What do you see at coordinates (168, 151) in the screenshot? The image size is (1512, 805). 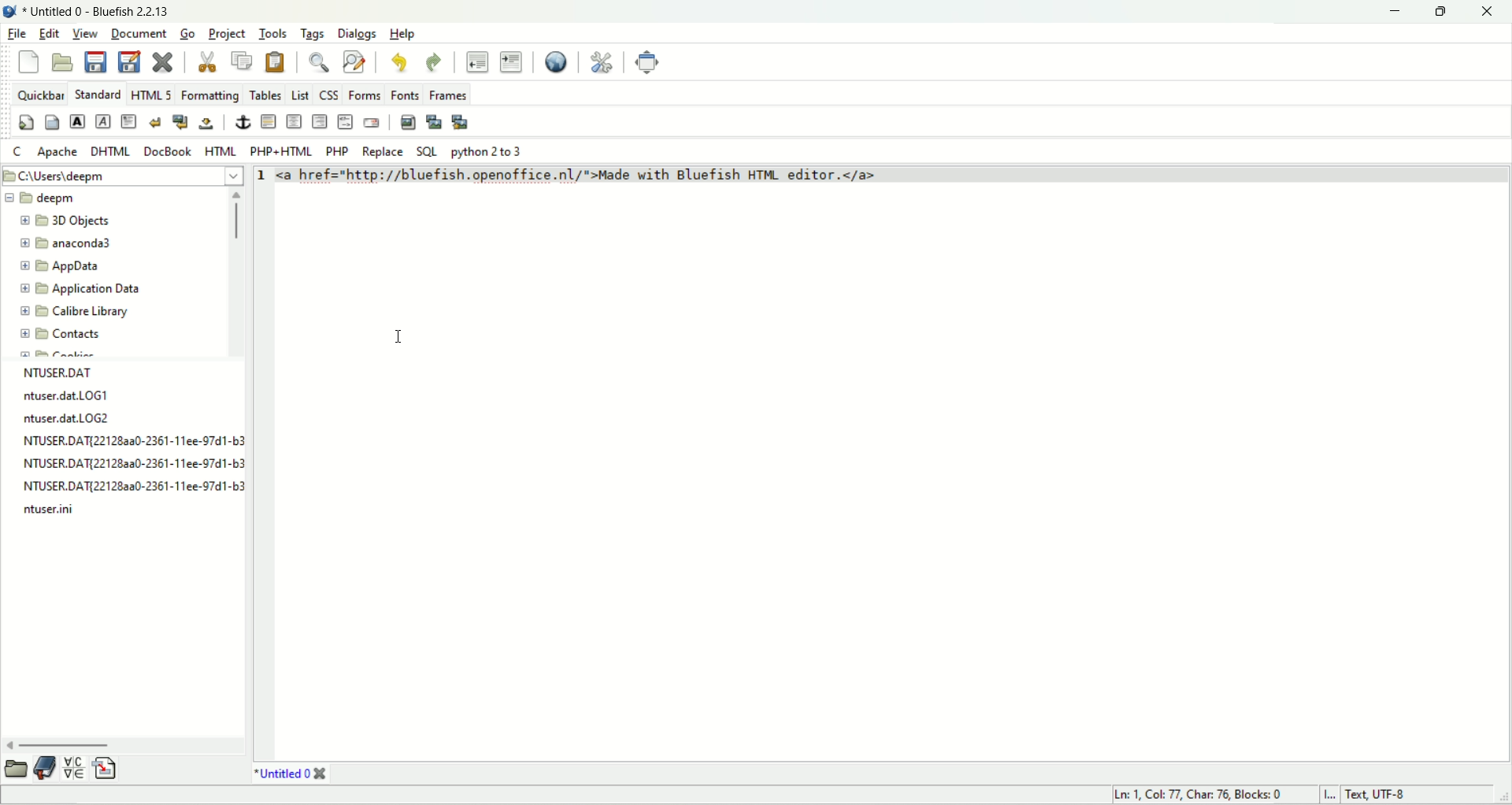 I see `Docbook` at bounding box center [168, 151].